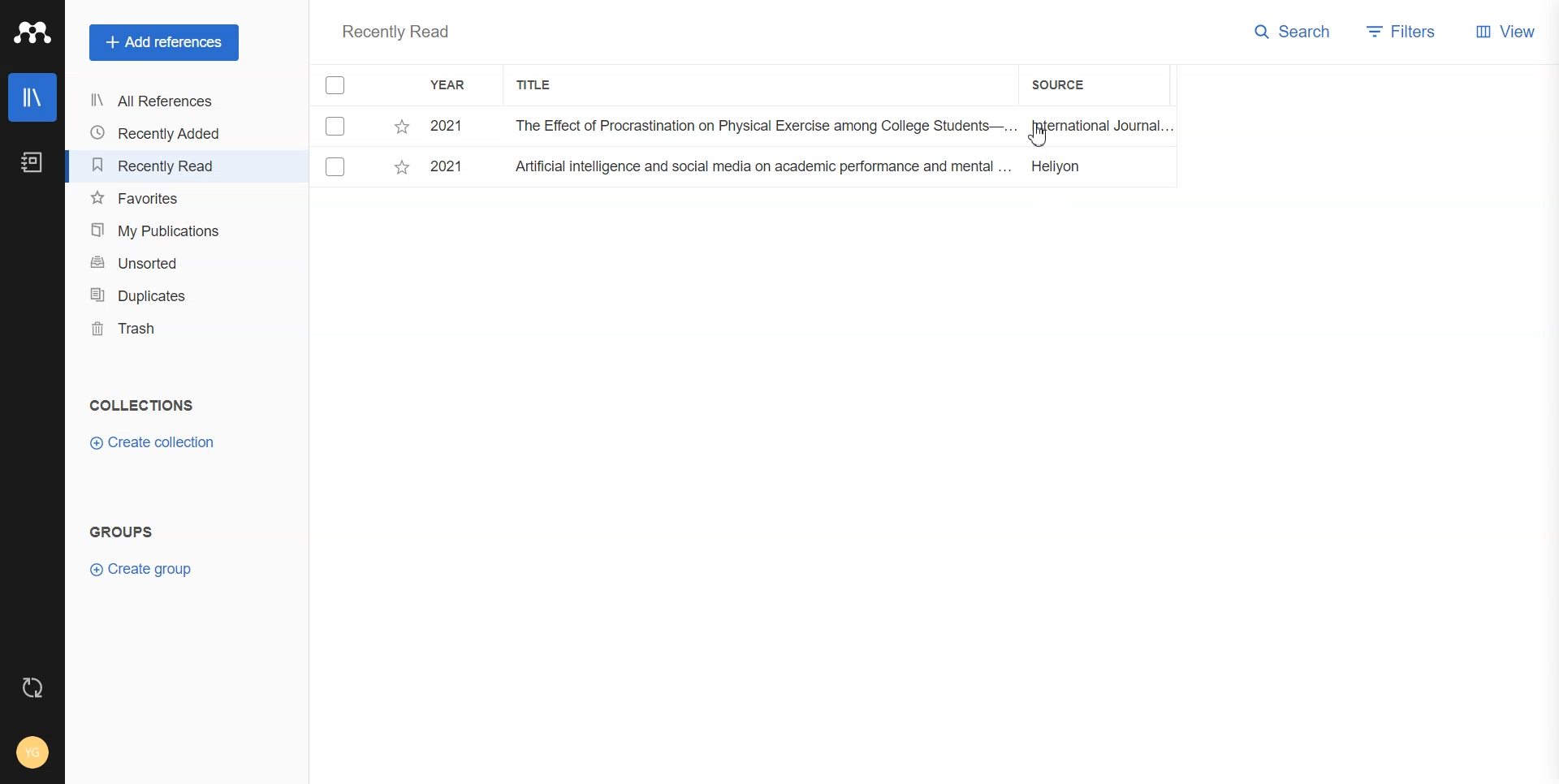 The height and width of the screenshot is (784, 1559). Describe the element at coordinates (159, 230) in the screenshot. I see `My Publications` at that location.